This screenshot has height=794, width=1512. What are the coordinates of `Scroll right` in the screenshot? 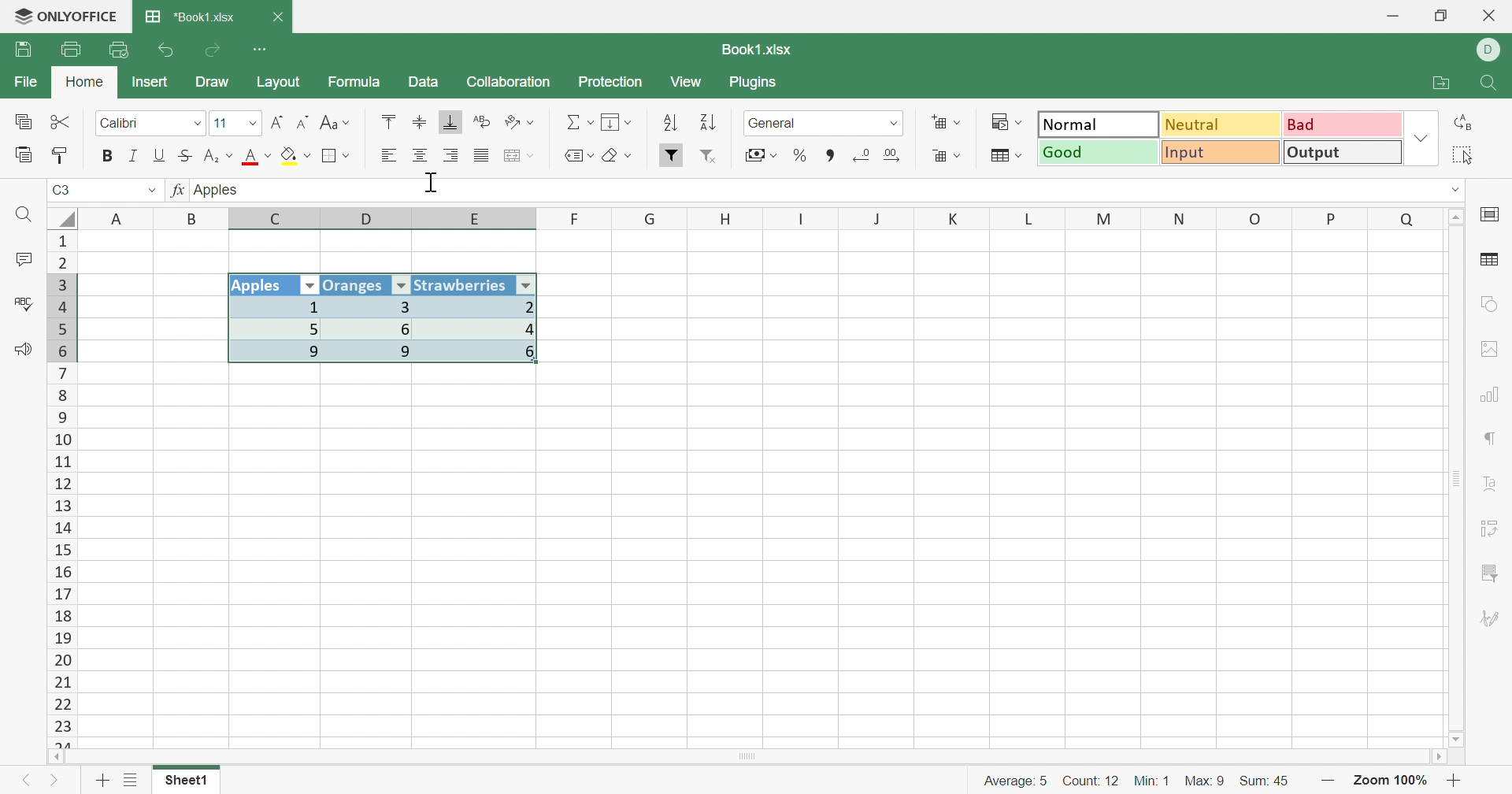 It's located at (1436, 757).